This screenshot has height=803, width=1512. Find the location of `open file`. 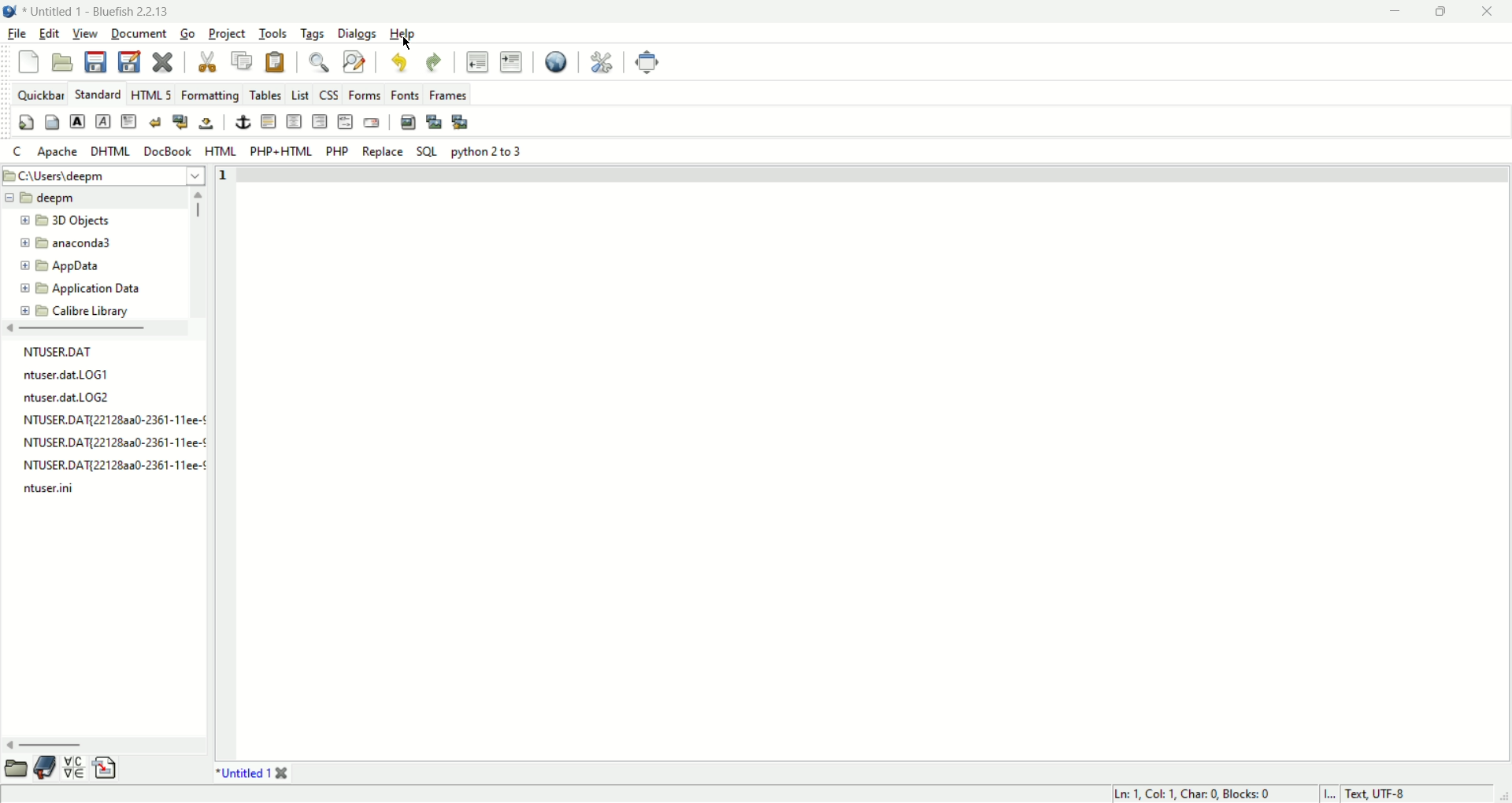

open file is located at coordinates (62, 63).